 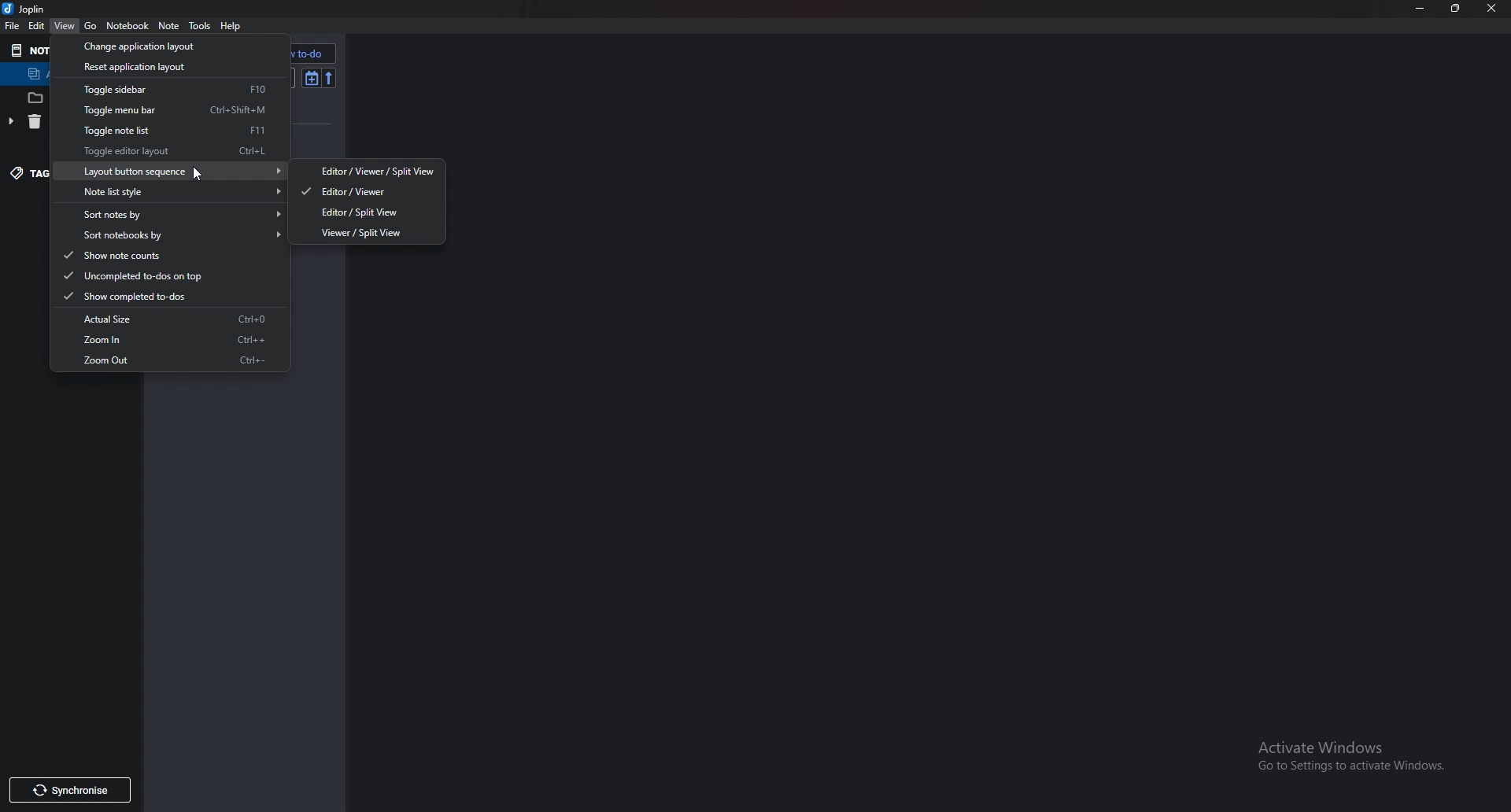 What do you see at coordinates (235, 25) in the screenshot?
I see `help` at bounding box center [235, 25].